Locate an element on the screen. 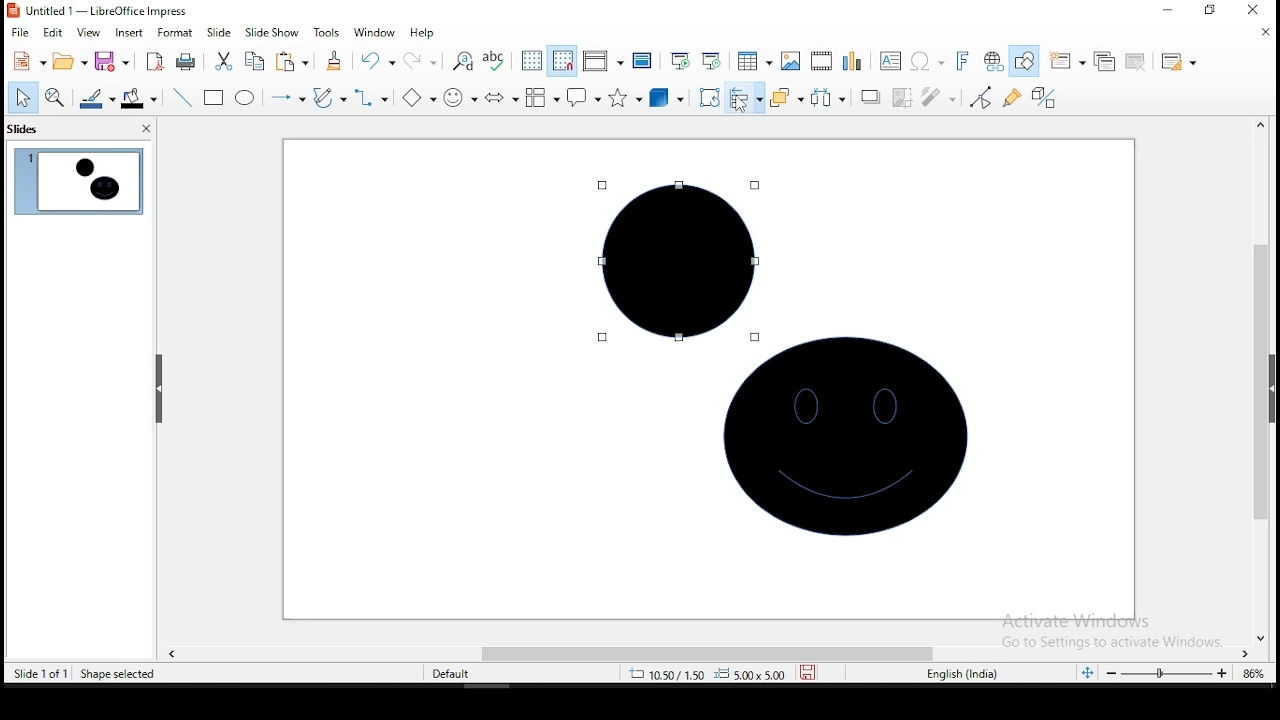  filter is located at coordinates (937, 98).